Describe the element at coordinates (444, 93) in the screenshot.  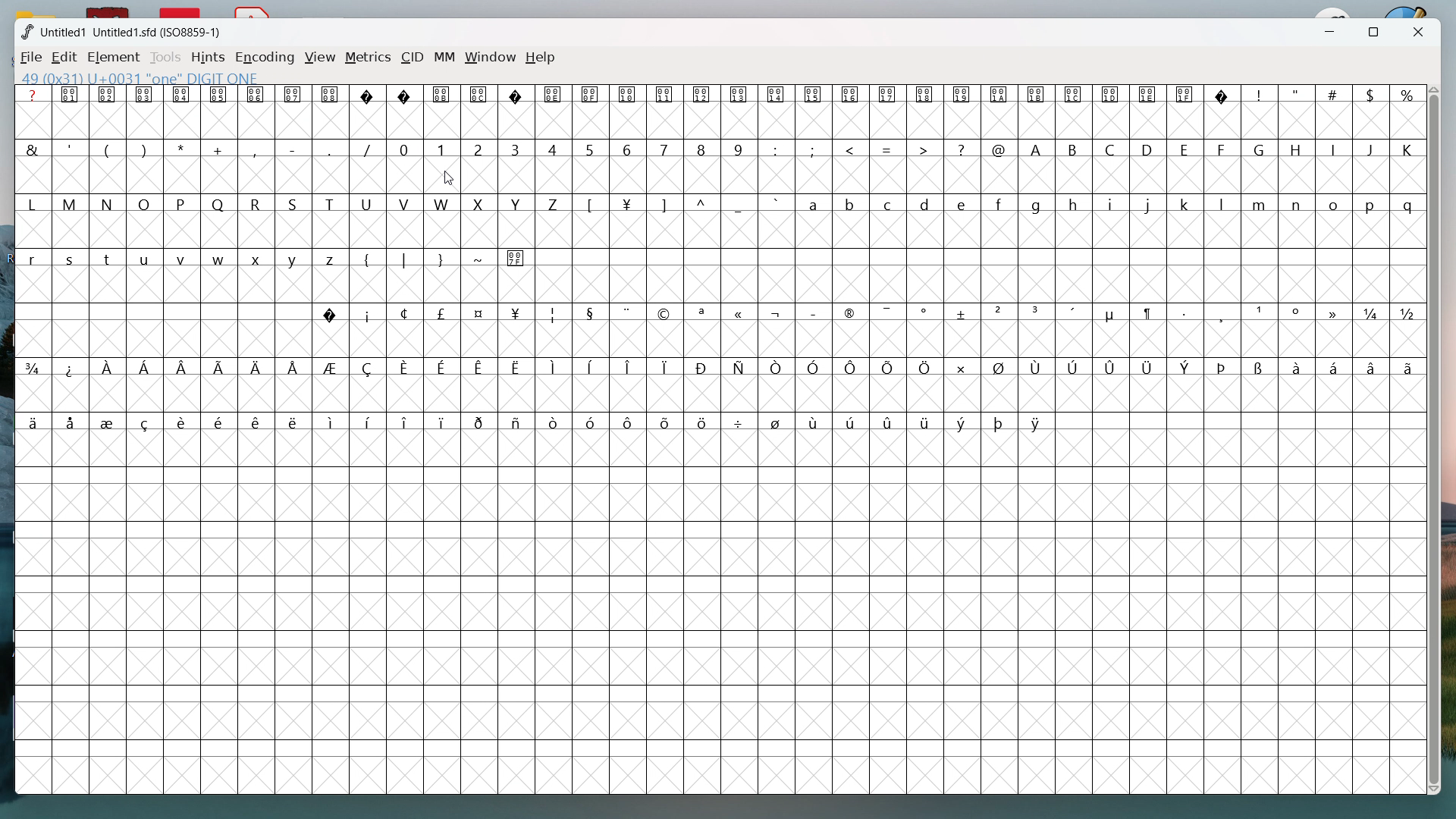
I see `symbol` at that location.